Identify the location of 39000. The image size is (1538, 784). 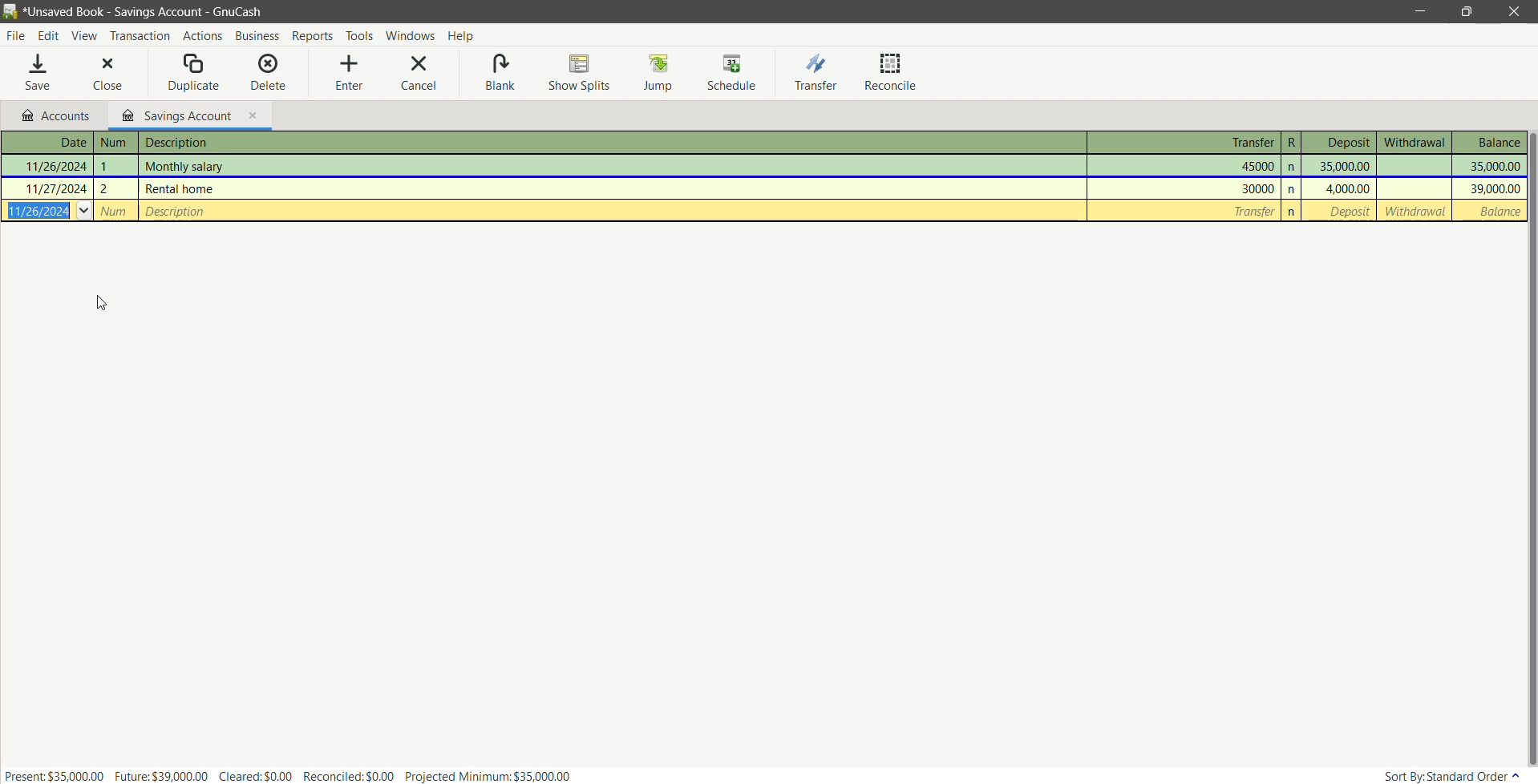
(1489, 189).